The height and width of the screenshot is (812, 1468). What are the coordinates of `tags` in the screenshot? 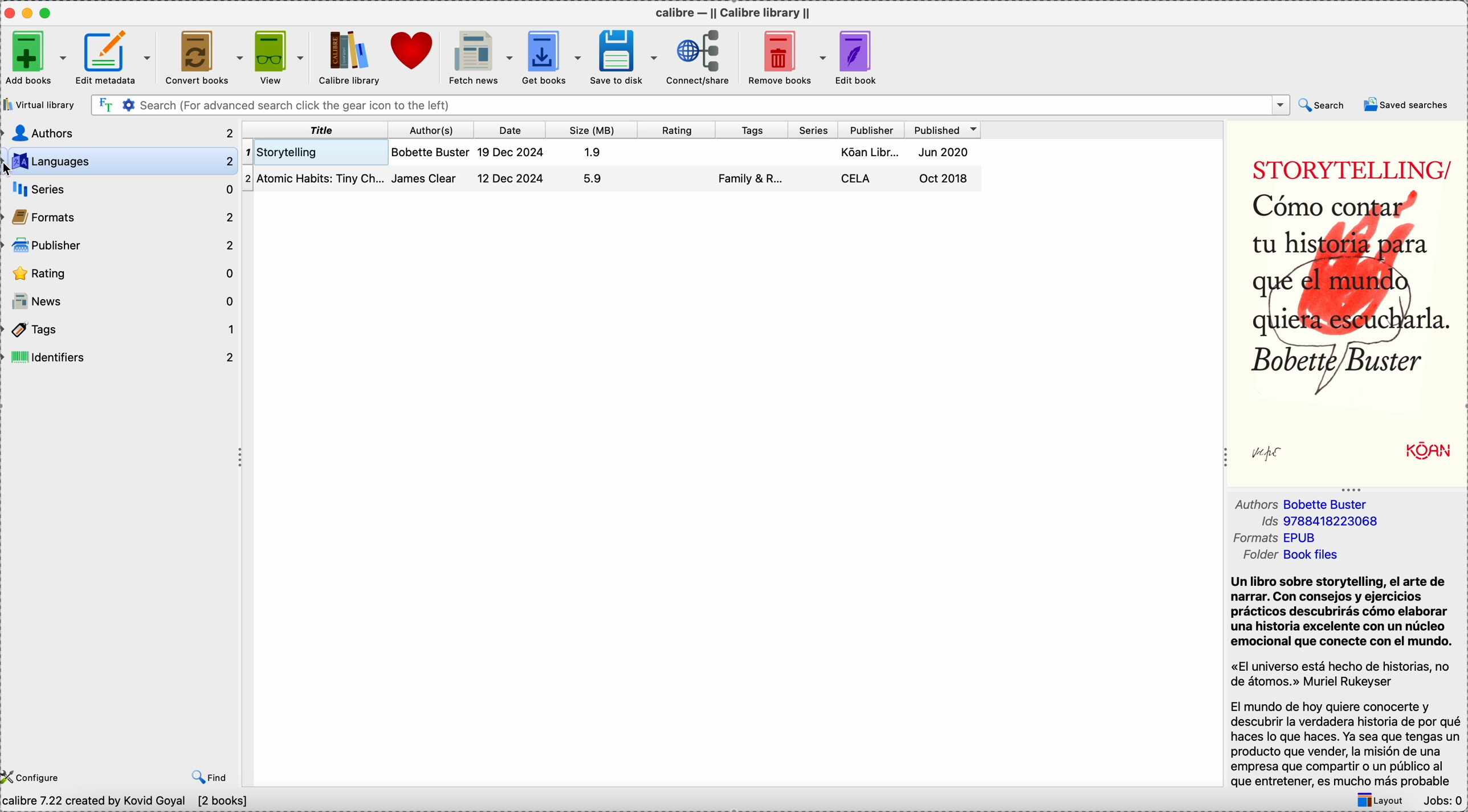 It's located at (751, 129).